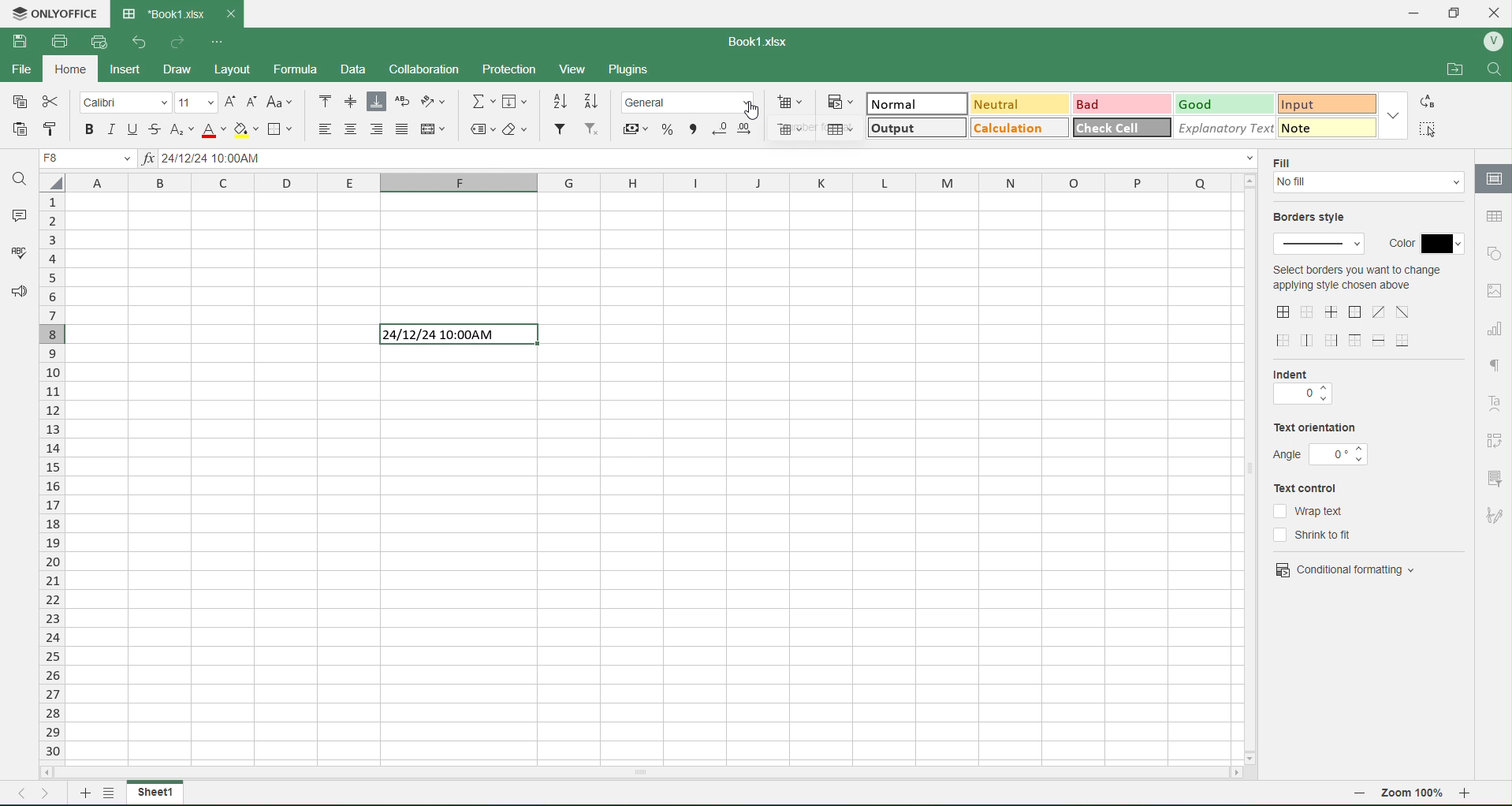 Image resolution: width=1512 pixels, height=806 pixels. I want to click on link, so click(1495, 440).